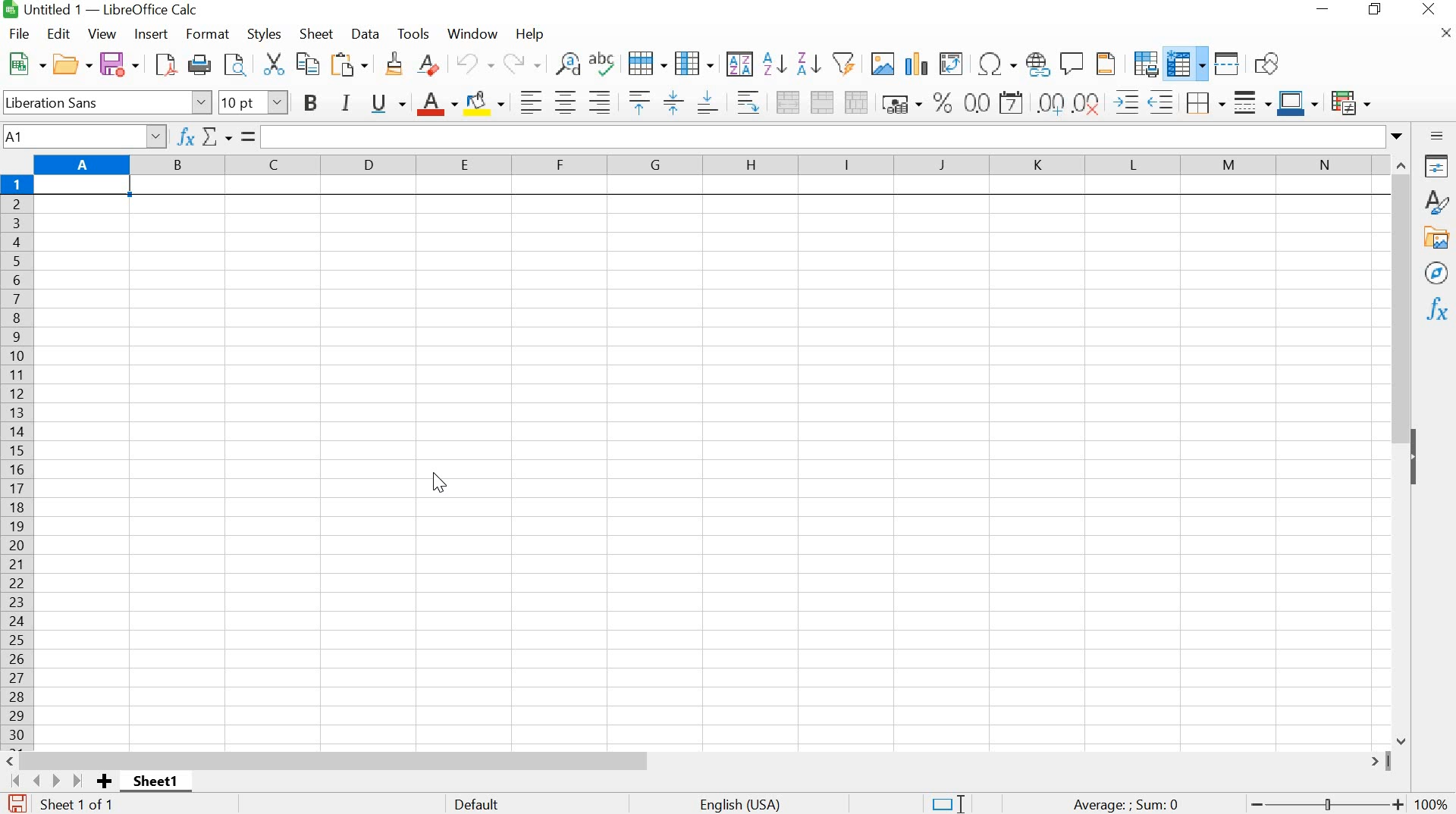  I want to click on STYLES, so click(265, 33).